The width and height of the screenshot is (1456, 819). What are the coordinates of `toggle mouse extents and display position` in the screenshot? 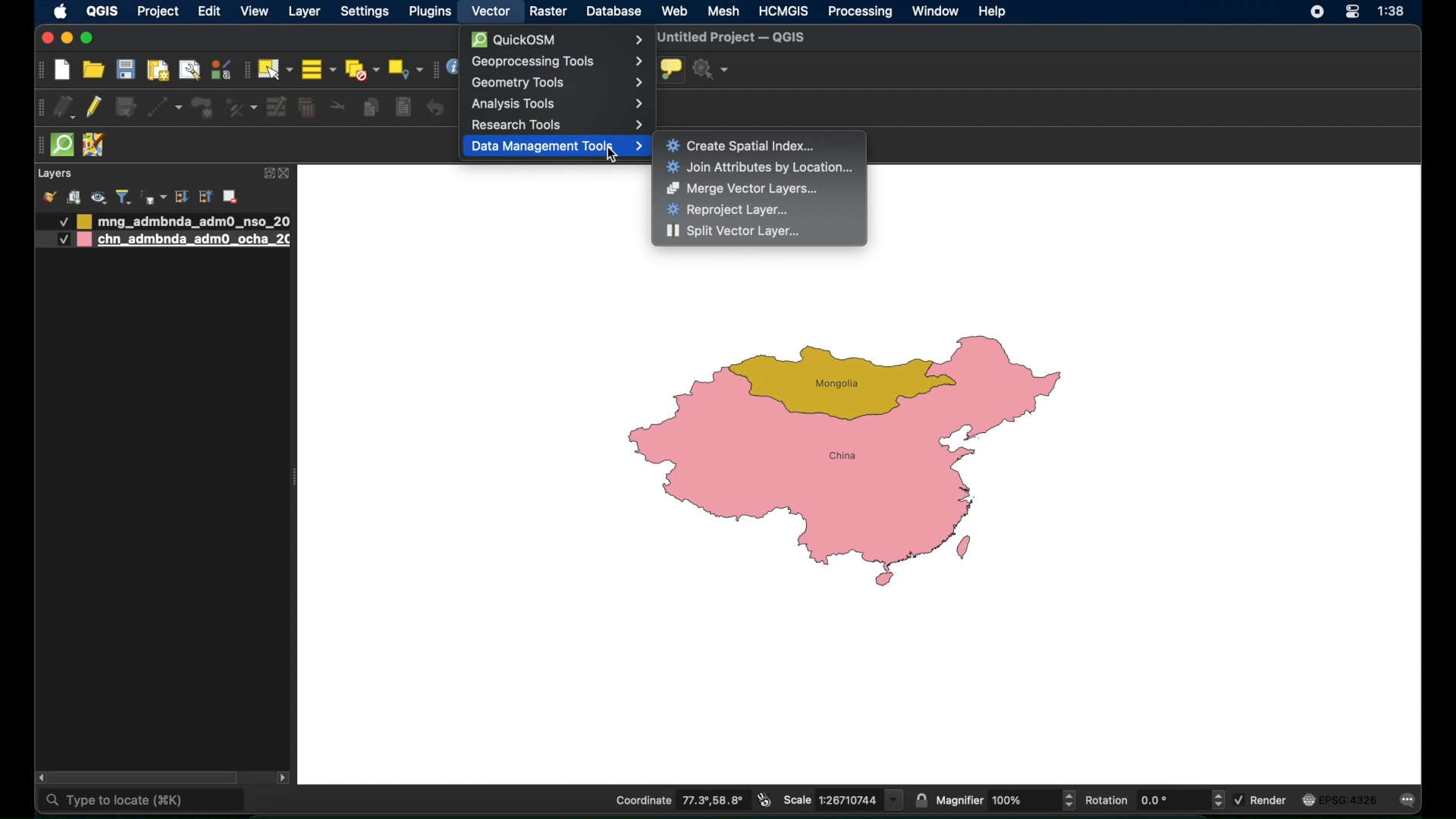 It's located at (764, 800).